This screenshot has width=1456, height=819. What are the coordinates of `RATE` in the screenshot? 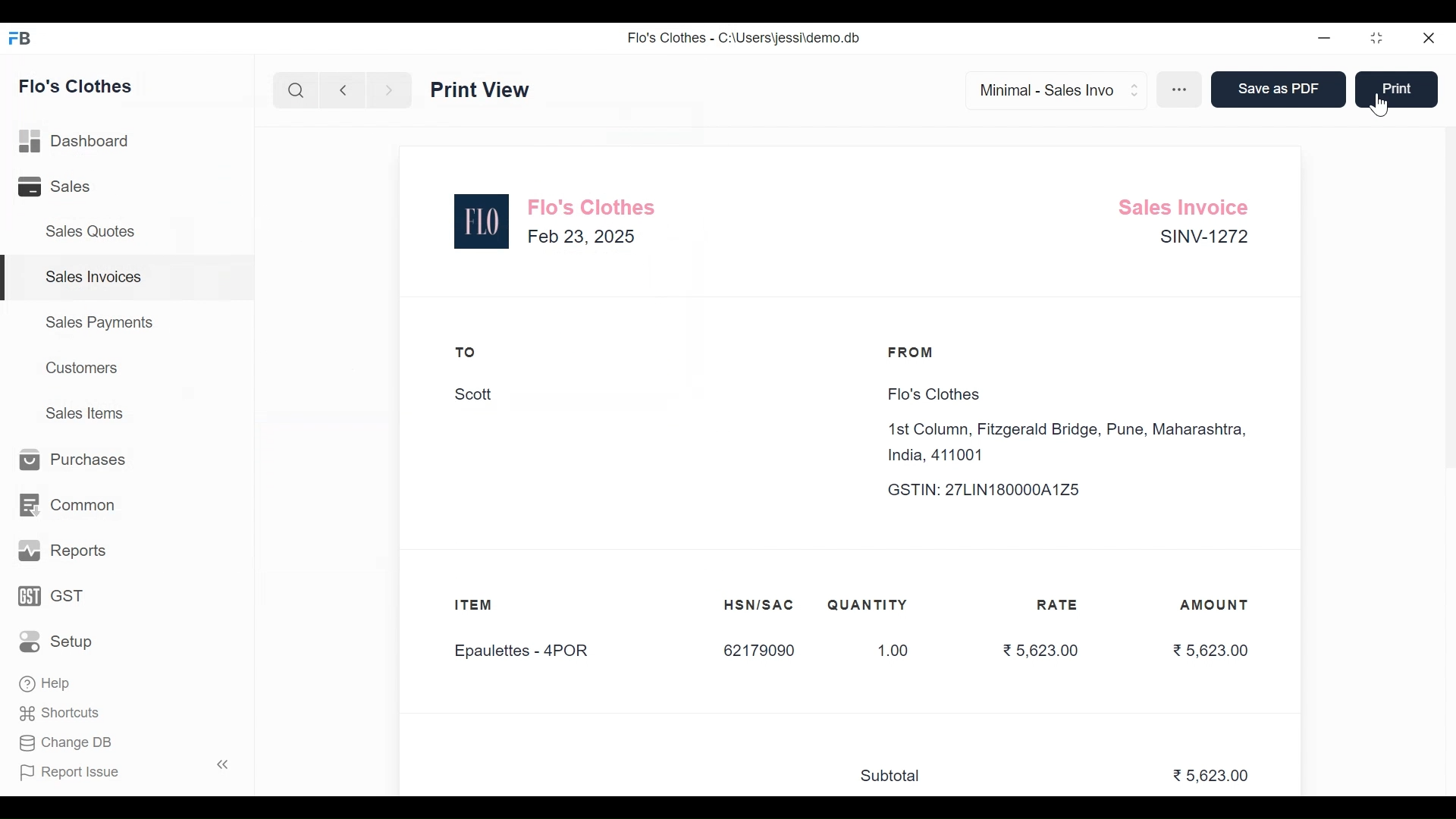 It's located at (1062, 605).